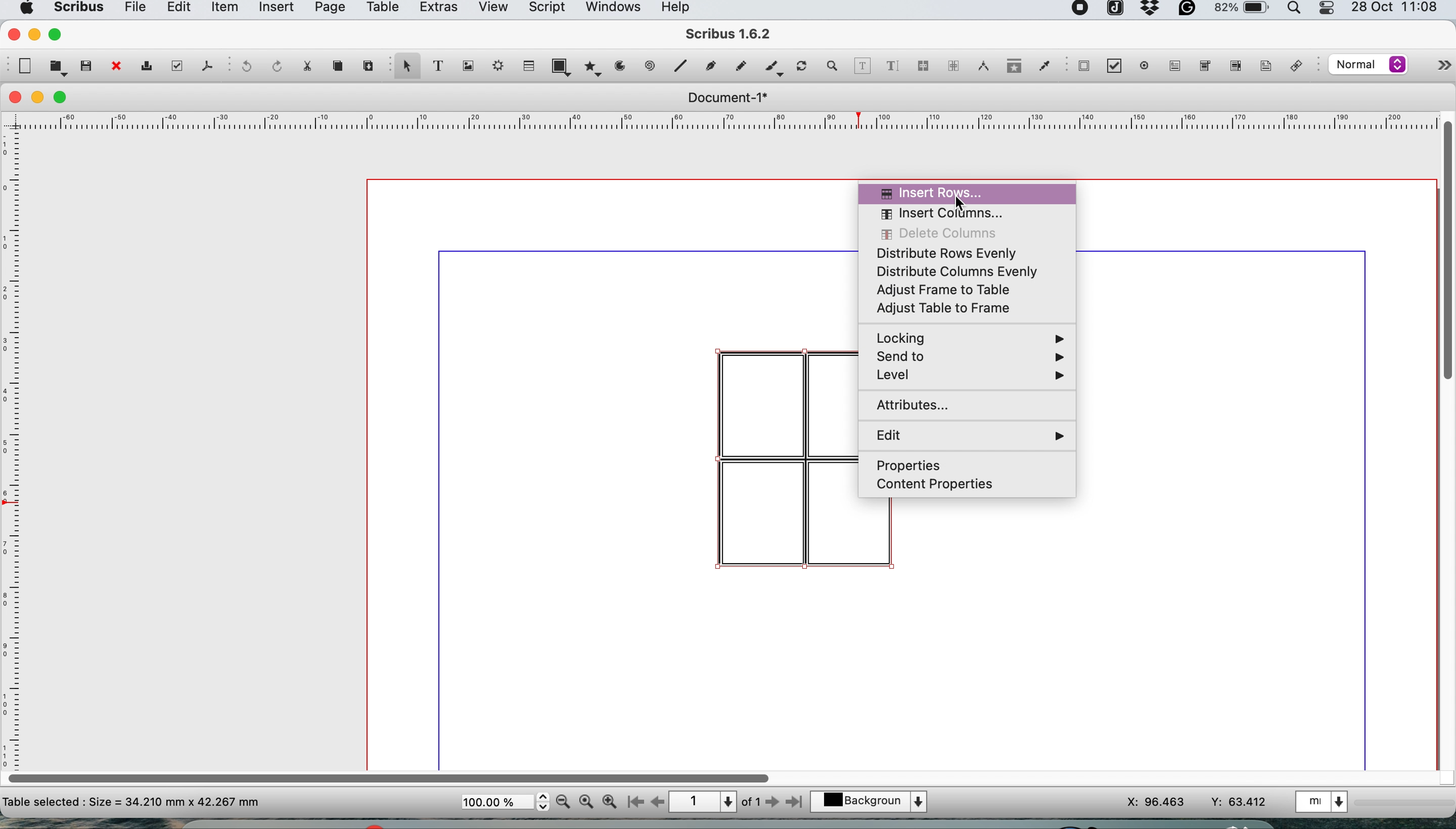  Describe the element at coordinates (24, 9) in the screenshot. I see `system logo` at that location.